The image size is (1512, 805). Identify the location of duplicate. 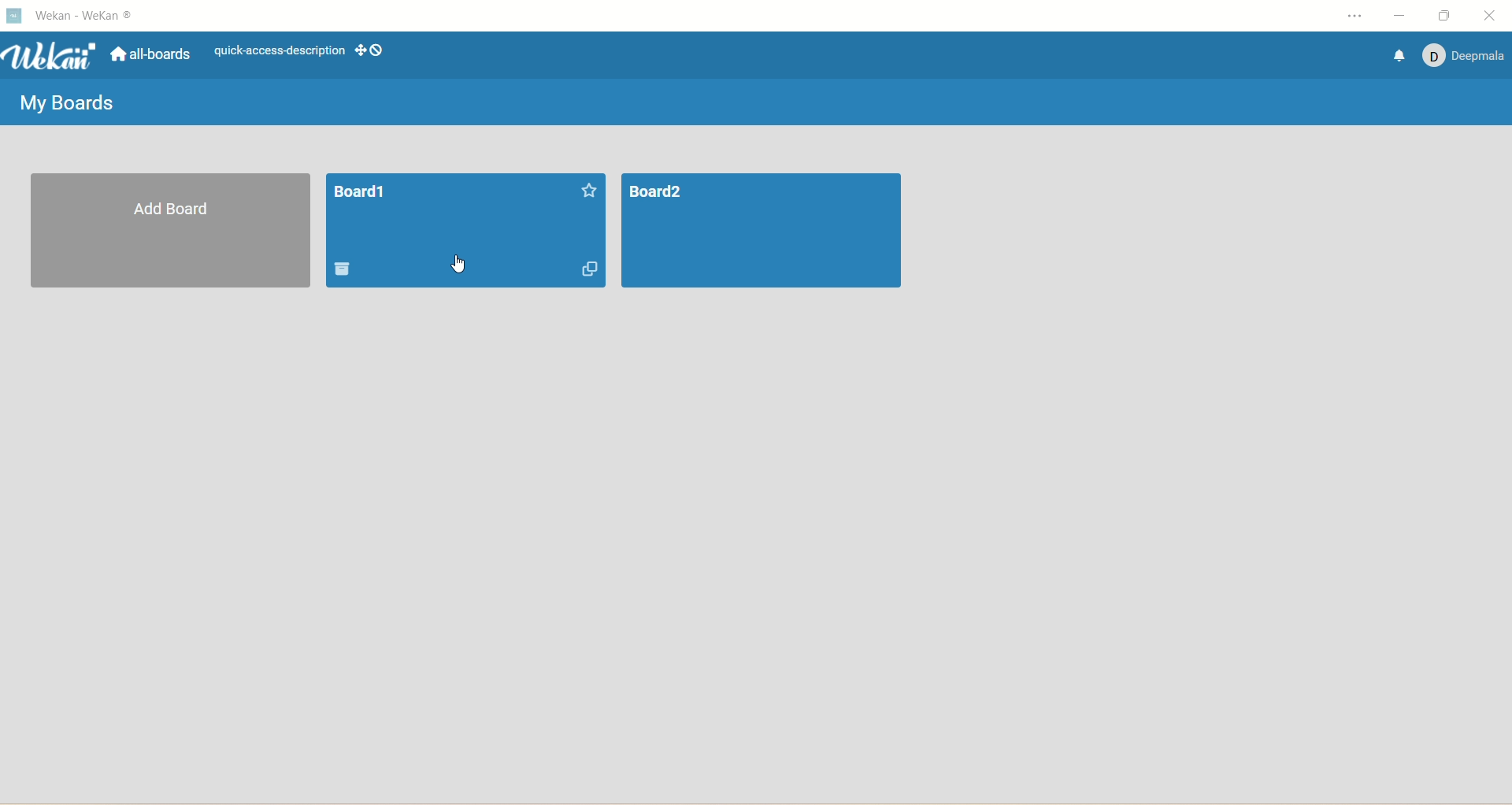
(588, 269).